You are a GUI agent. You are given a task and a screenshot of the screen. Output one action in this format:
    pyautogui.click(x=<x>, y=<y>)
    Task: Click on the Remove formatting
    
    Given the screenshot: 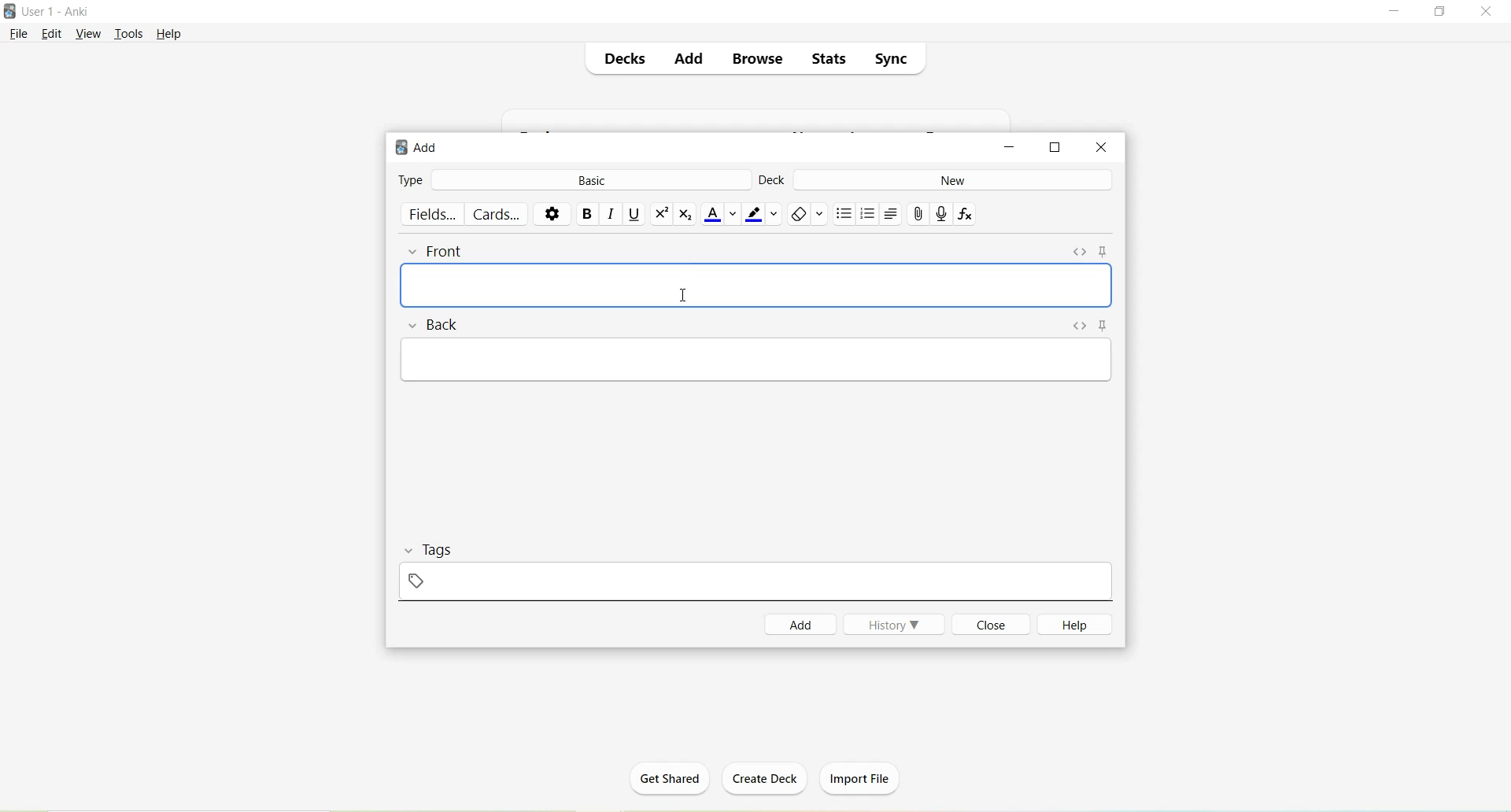 What is the action you would take?
    pyautogui.click(x=807, y=216)
    